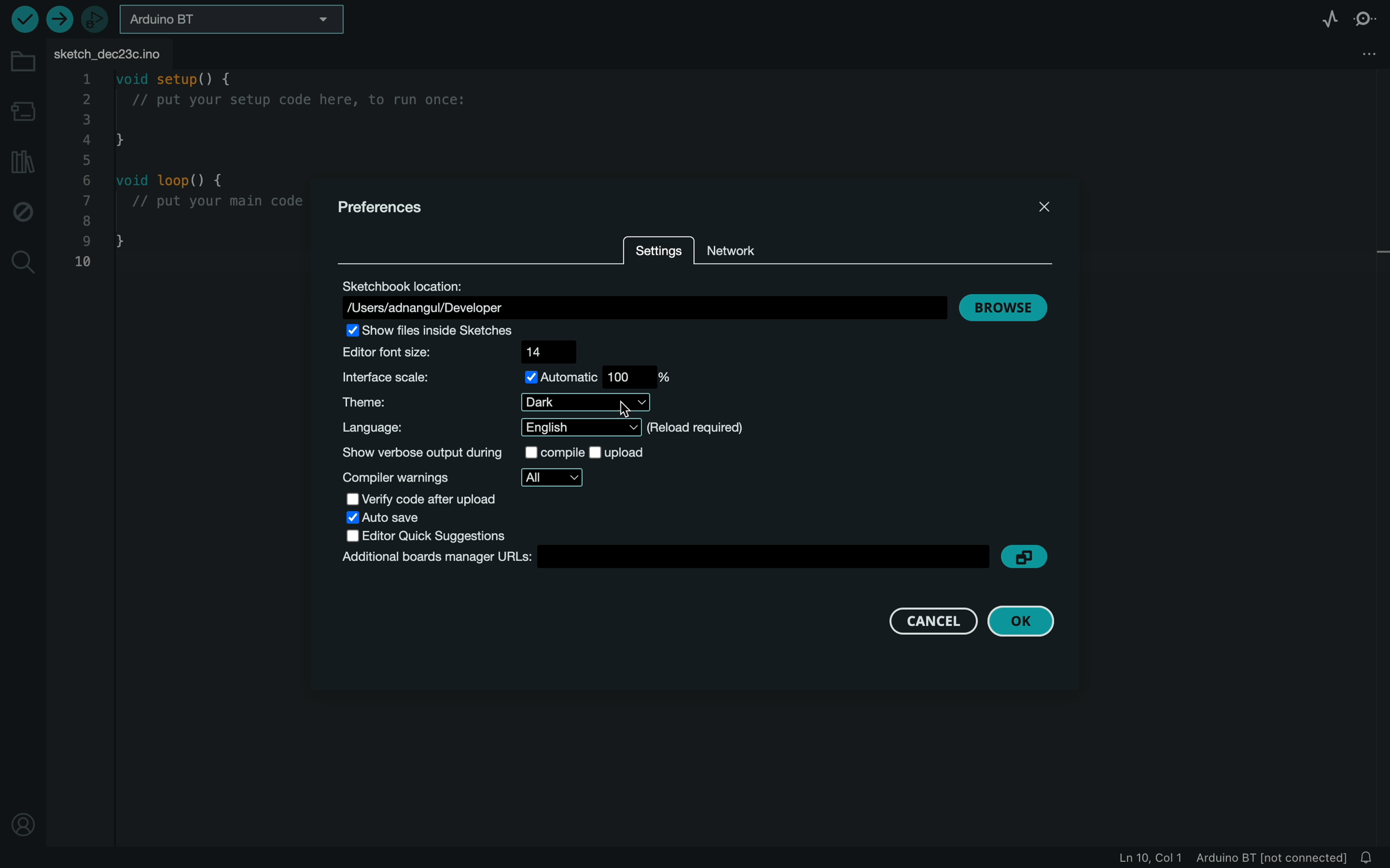 Image resolution: width=1390 pixels, height=868 pixels. I want to click on notification, so click(1368, 858).